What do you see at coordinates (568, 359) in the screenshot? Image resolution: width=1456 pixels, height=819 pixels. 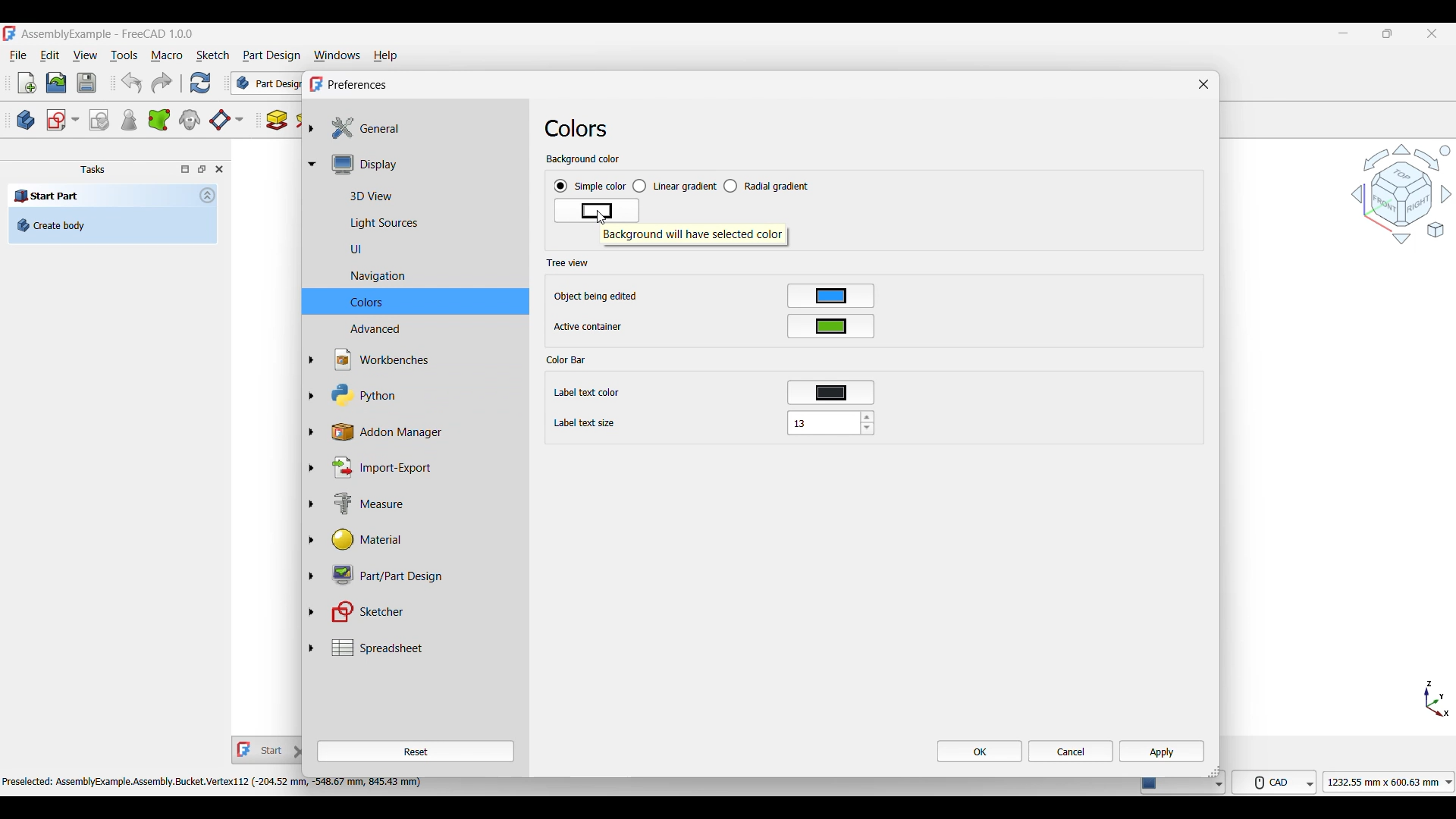 I see `Section title` at bounding box center [568, 359].